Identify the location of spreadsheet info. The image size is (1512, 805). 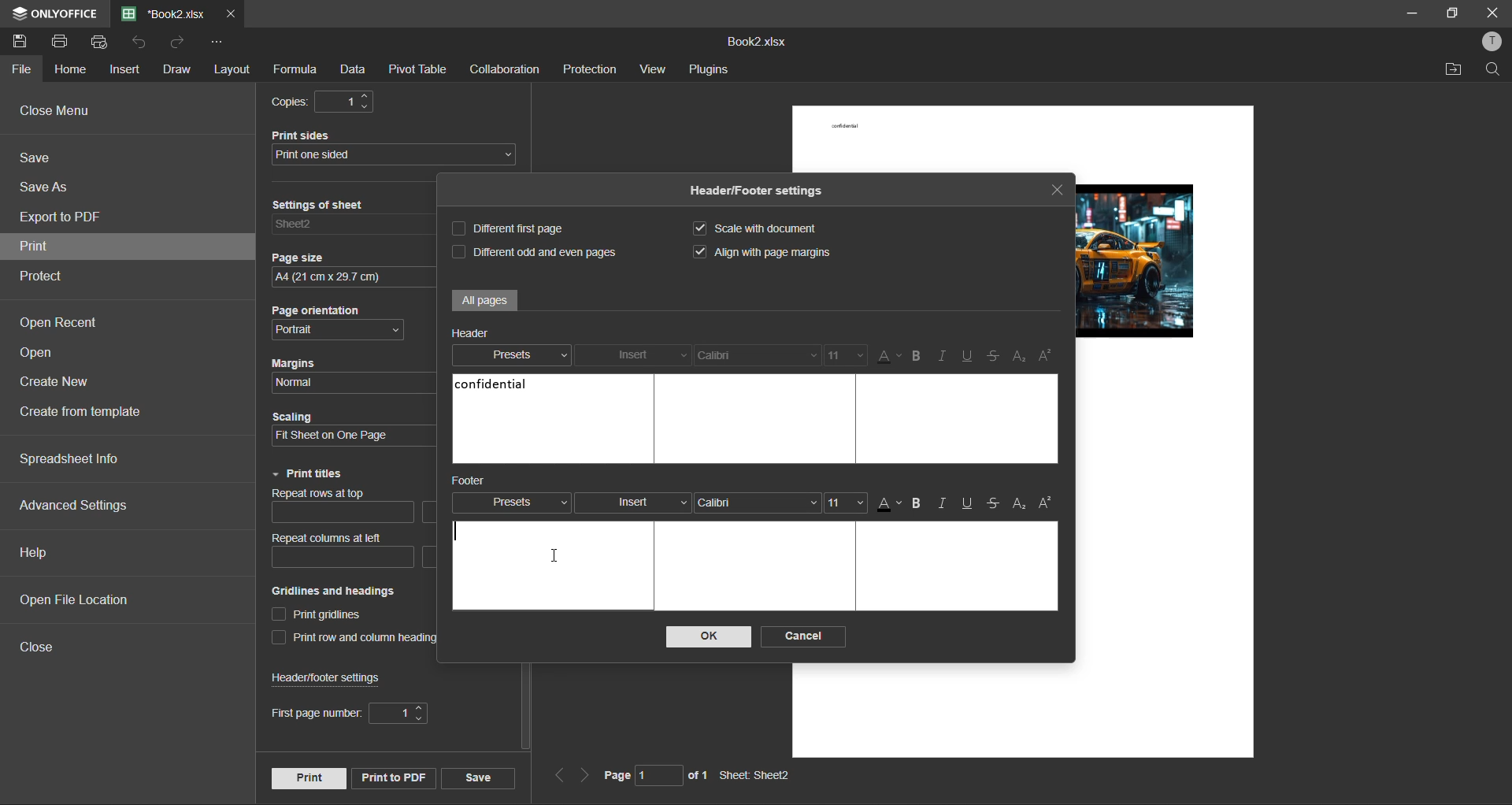
(71, 458).